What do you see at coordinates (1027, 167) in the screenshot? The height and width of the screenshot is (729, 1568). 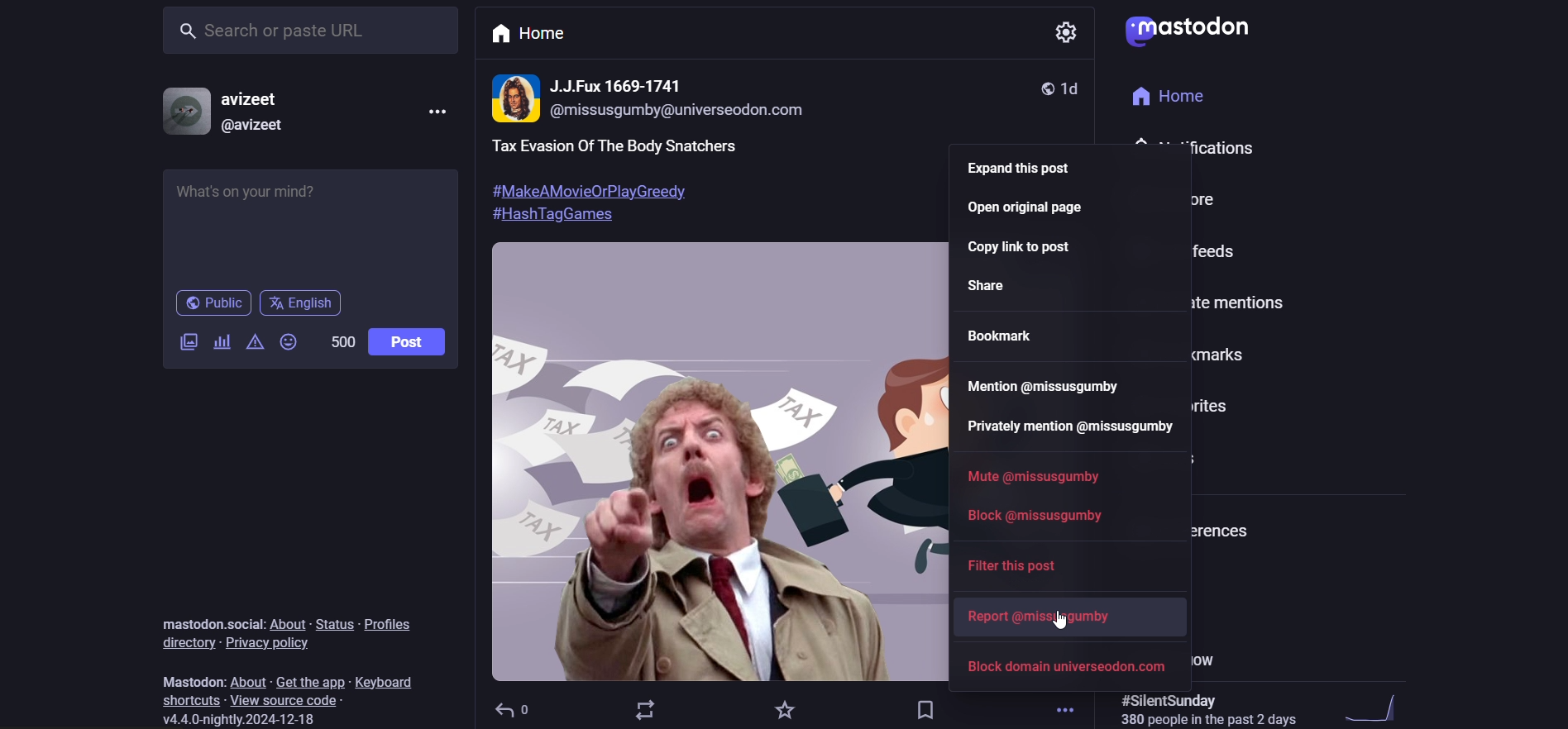 I see `expand this post` at bounding box center [1027, 167].